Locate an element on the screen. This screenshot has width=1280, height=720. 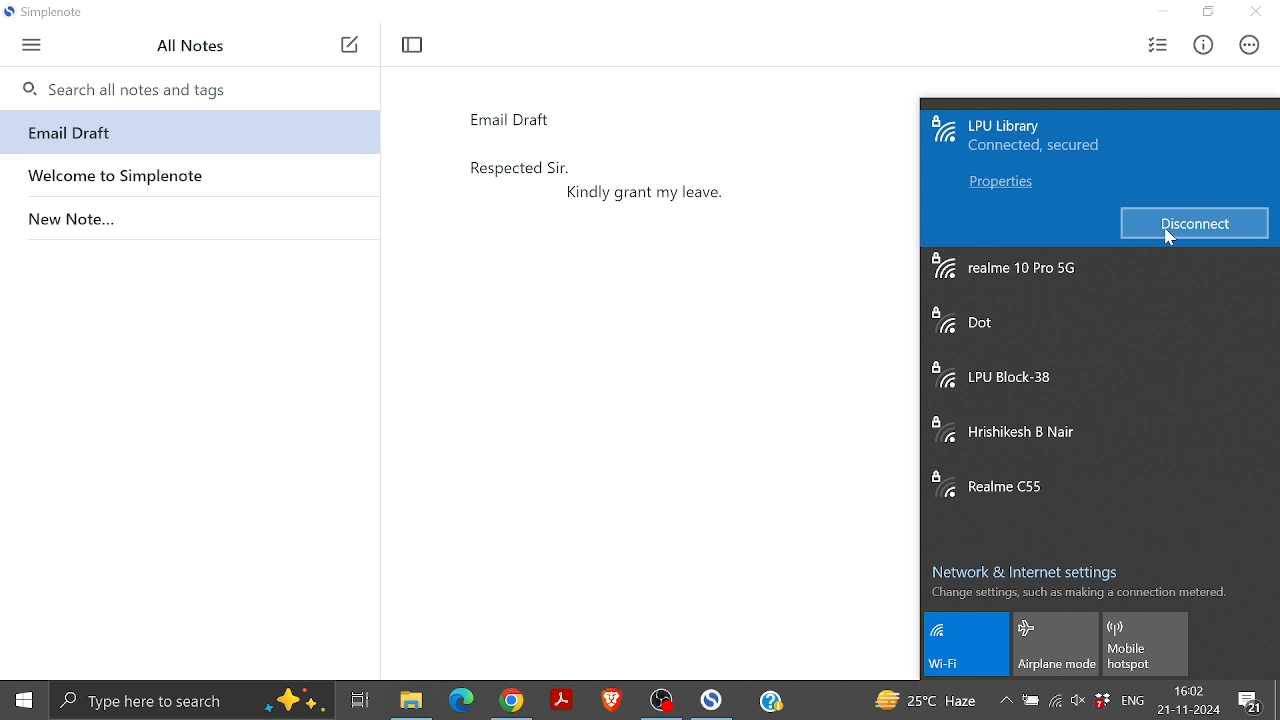
Restore down is located at coordinates (1209, 12).